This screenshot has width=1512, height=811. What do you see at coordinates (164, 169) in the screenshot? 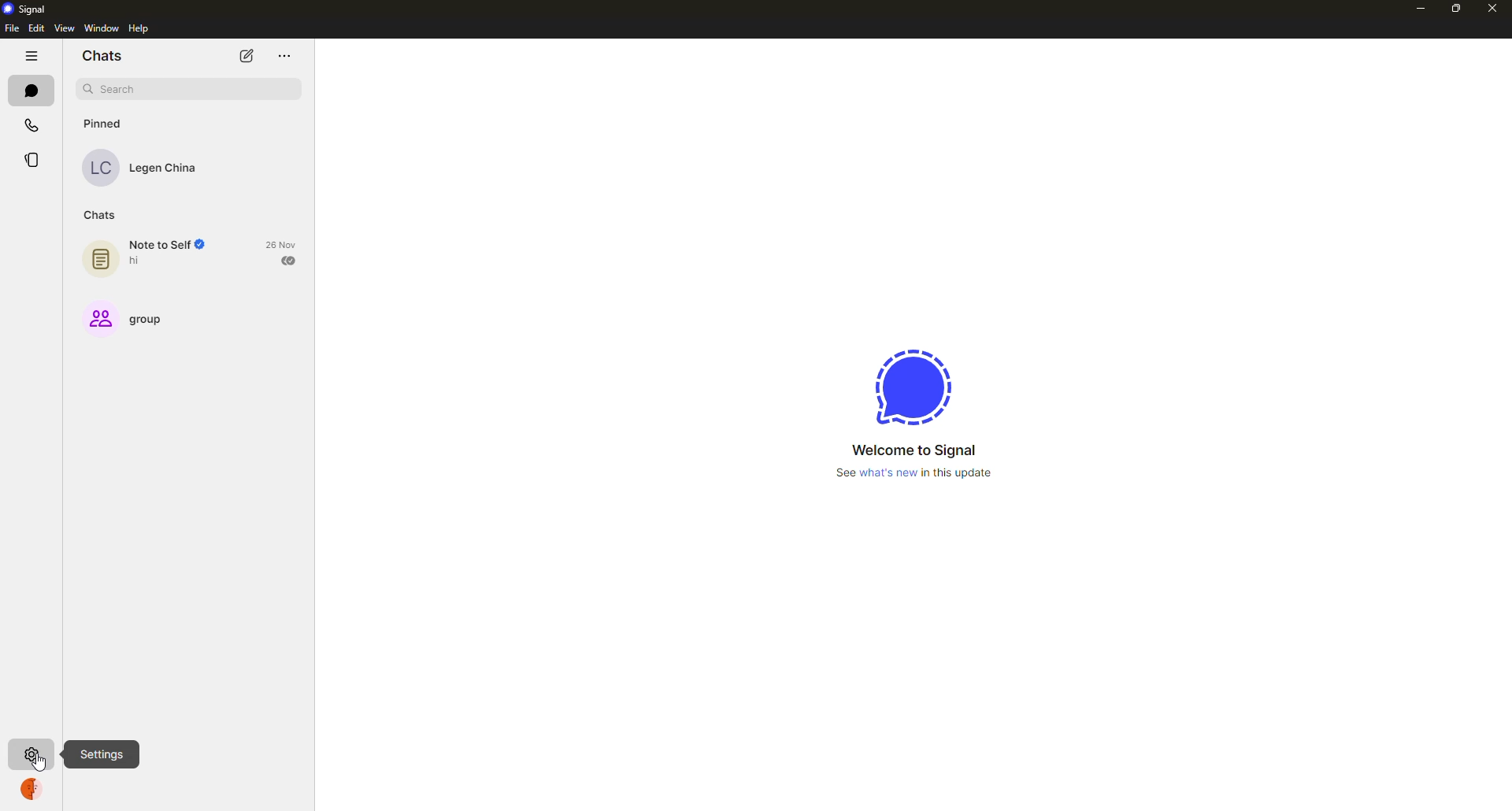
I see `Legen China` at bounding box center [164, 169].